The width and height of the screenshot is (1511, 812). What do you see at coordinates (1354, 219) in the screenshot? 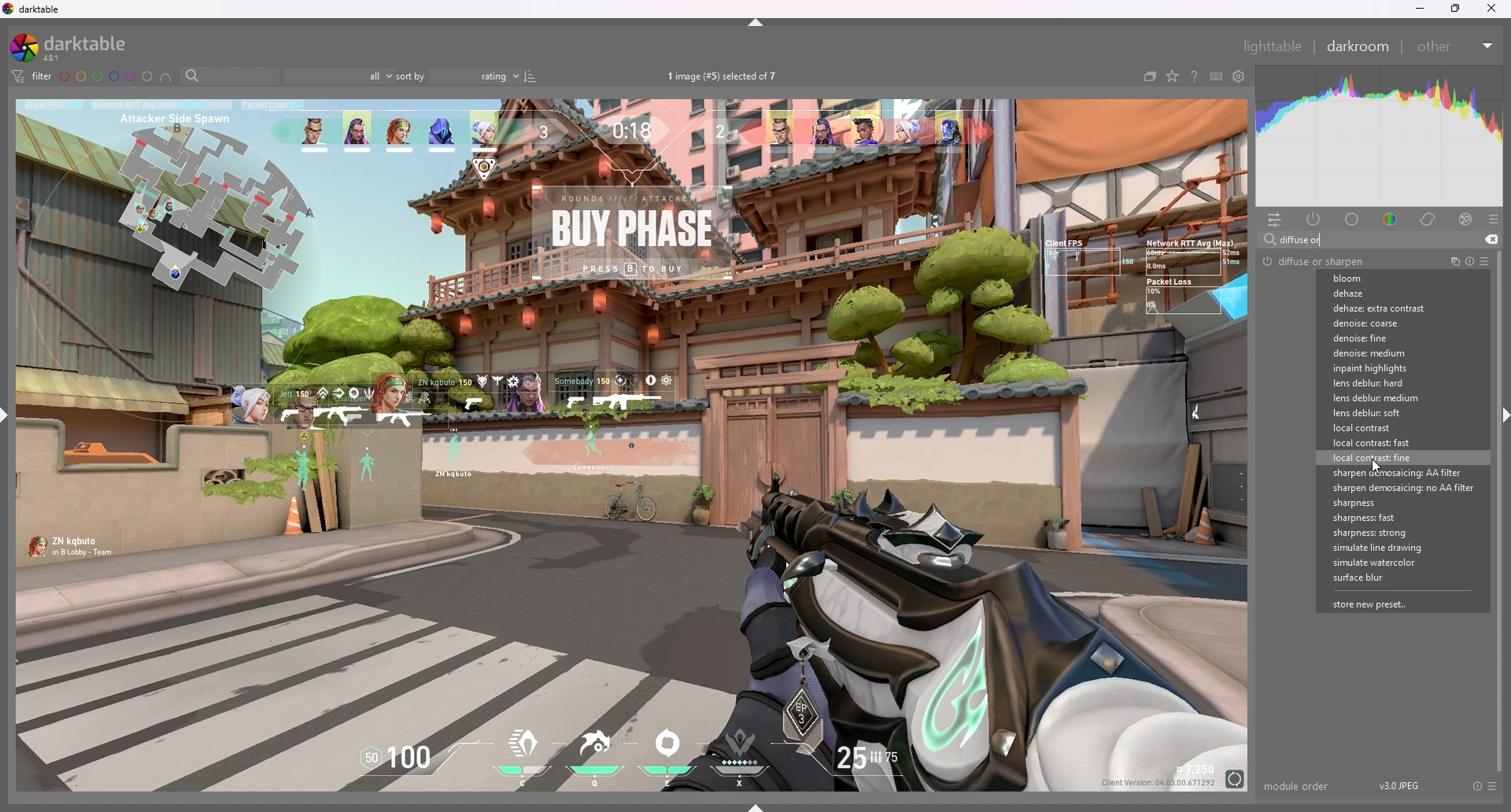
I see `base` at bounding box center [1354, 219].